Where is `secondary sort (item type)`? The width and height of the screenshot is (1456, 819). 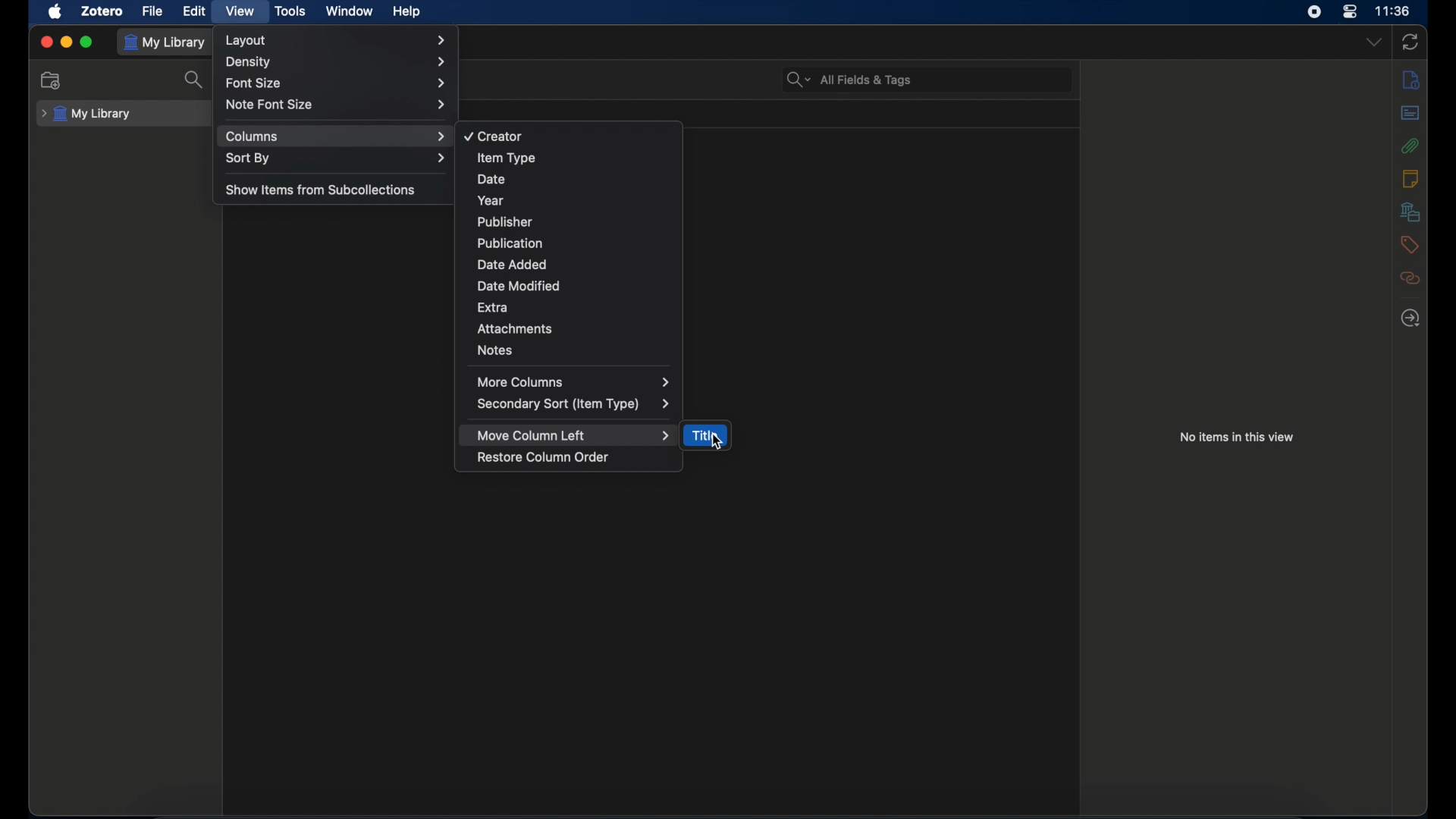
secondary sort (item type) is located at coordinates (575, 404).